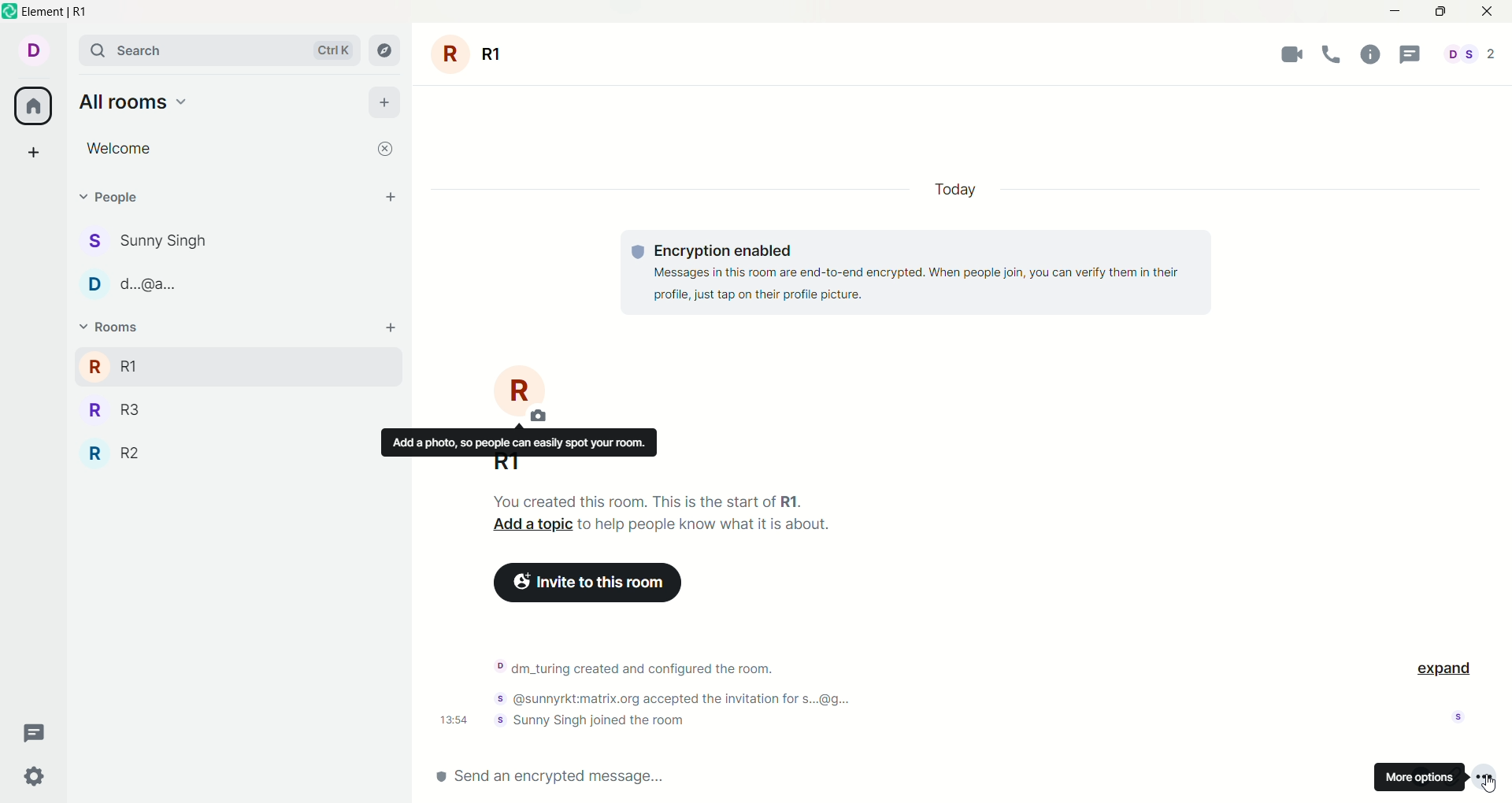 The width and height of the screenshot is (1512, 803). What do you see at coordinates (1332, 54) in the screenshot?
I see `voice call` at bounding box center [1332, 54].